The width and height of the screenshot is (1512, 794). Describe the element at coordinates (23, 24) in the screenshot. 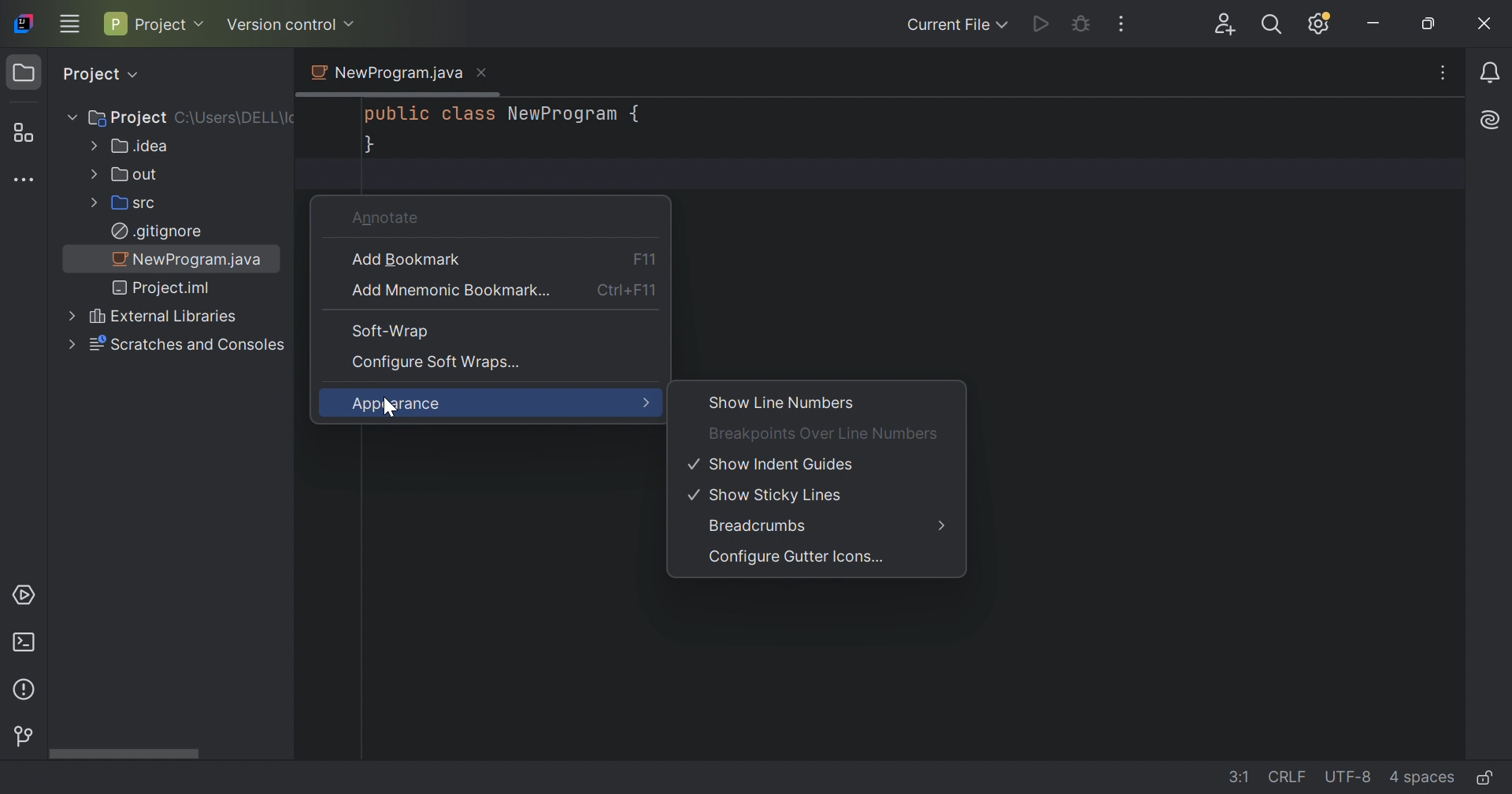

I see `PyCharm icon` at that location.